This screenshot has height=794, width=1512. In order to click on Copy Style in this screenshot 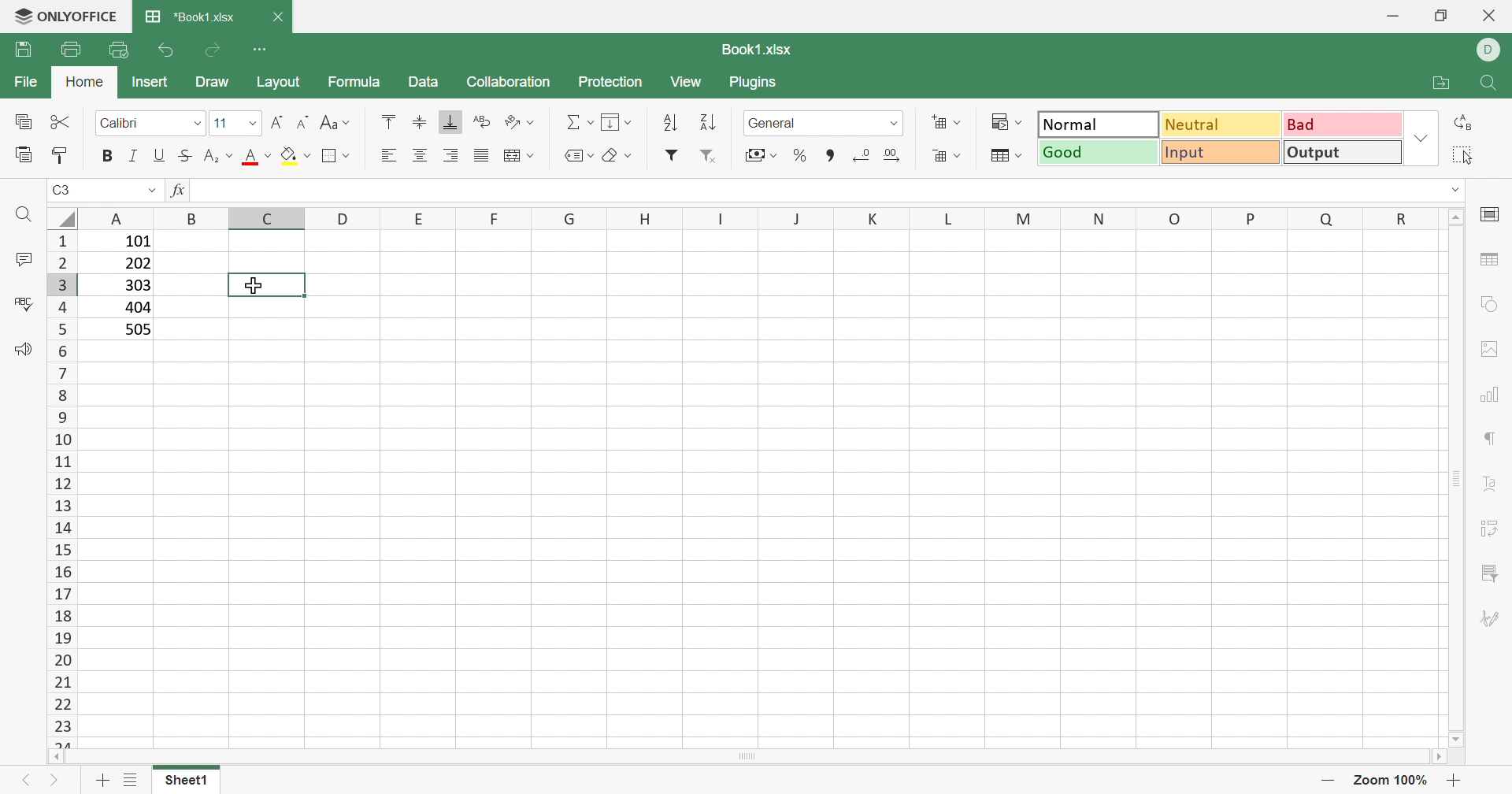, I will do `click(63, 154)`.